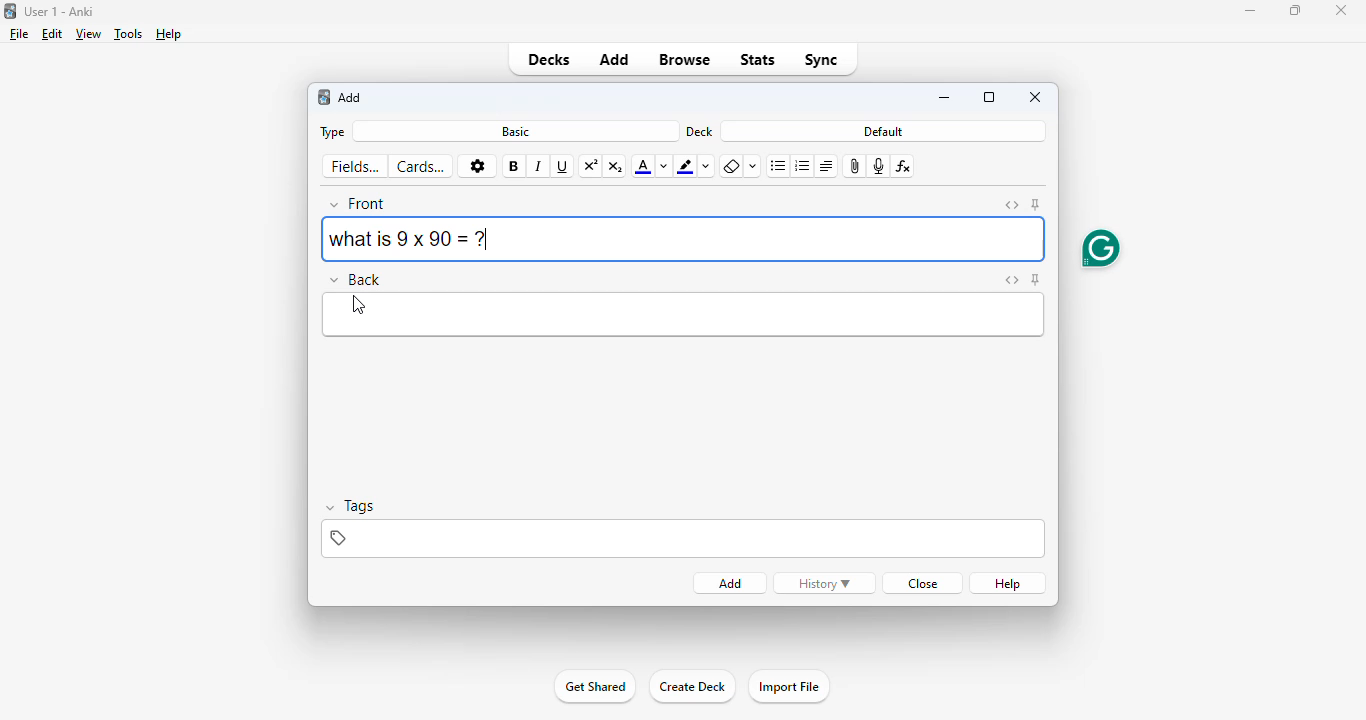  Describe the element at coordinates (1036, 280) in the screenshot. I see `toggle sticky` at that location.